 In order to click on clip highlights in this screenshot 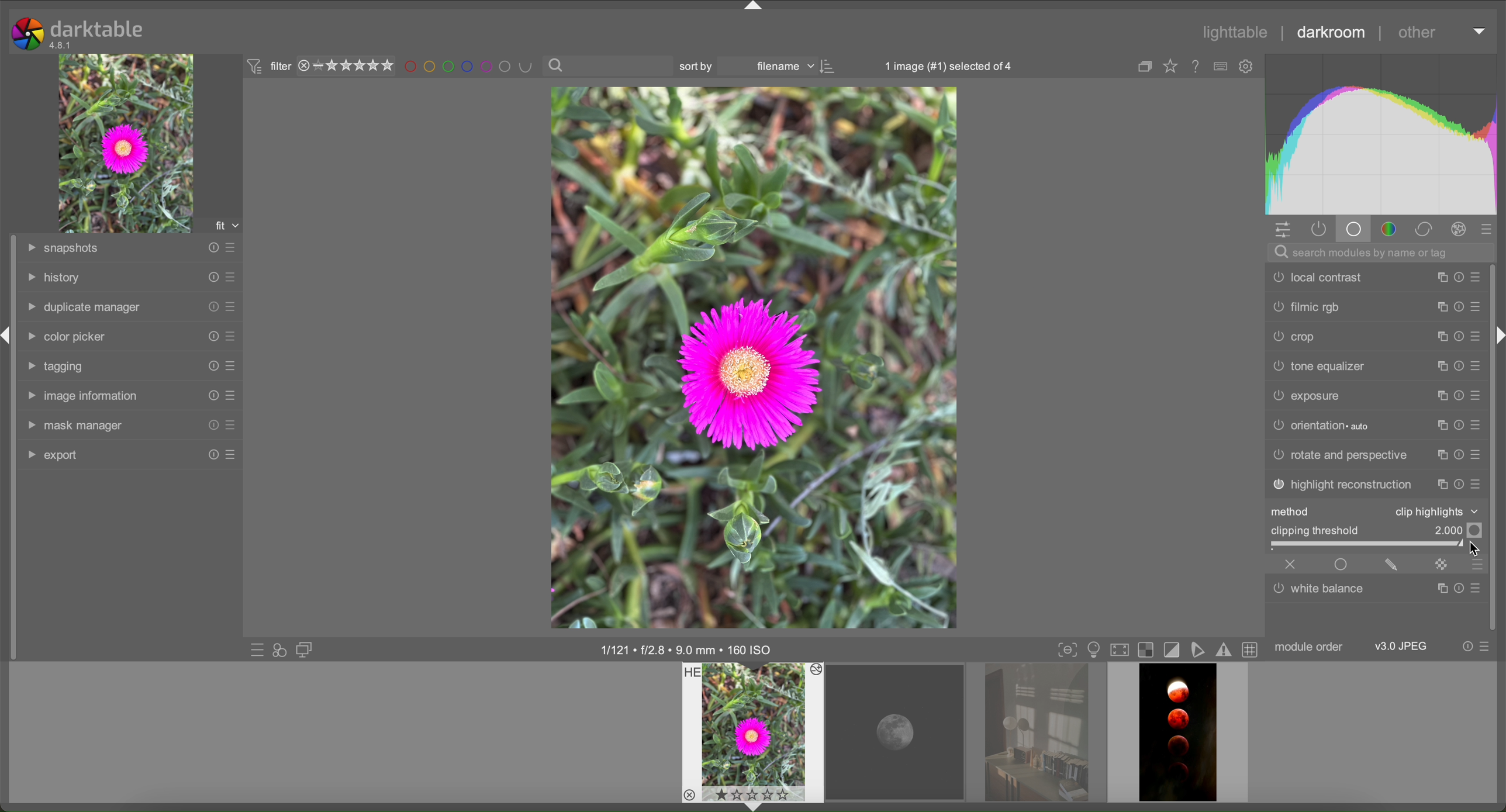, I will do `click(1434, 511)`.